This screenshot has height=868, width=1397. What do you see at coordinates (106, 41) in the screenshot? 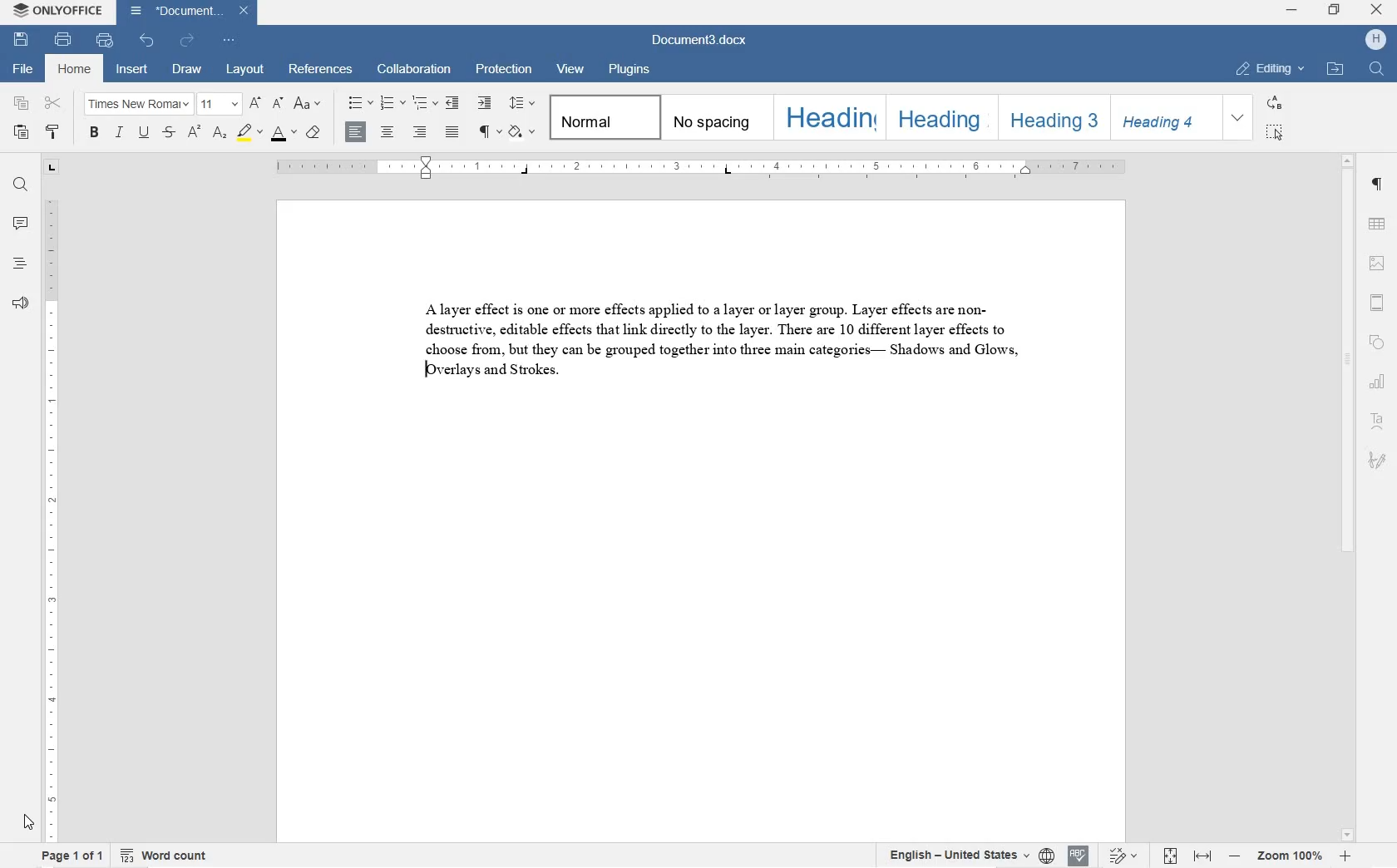
I see `quick print` at bounding box center [106, 41].